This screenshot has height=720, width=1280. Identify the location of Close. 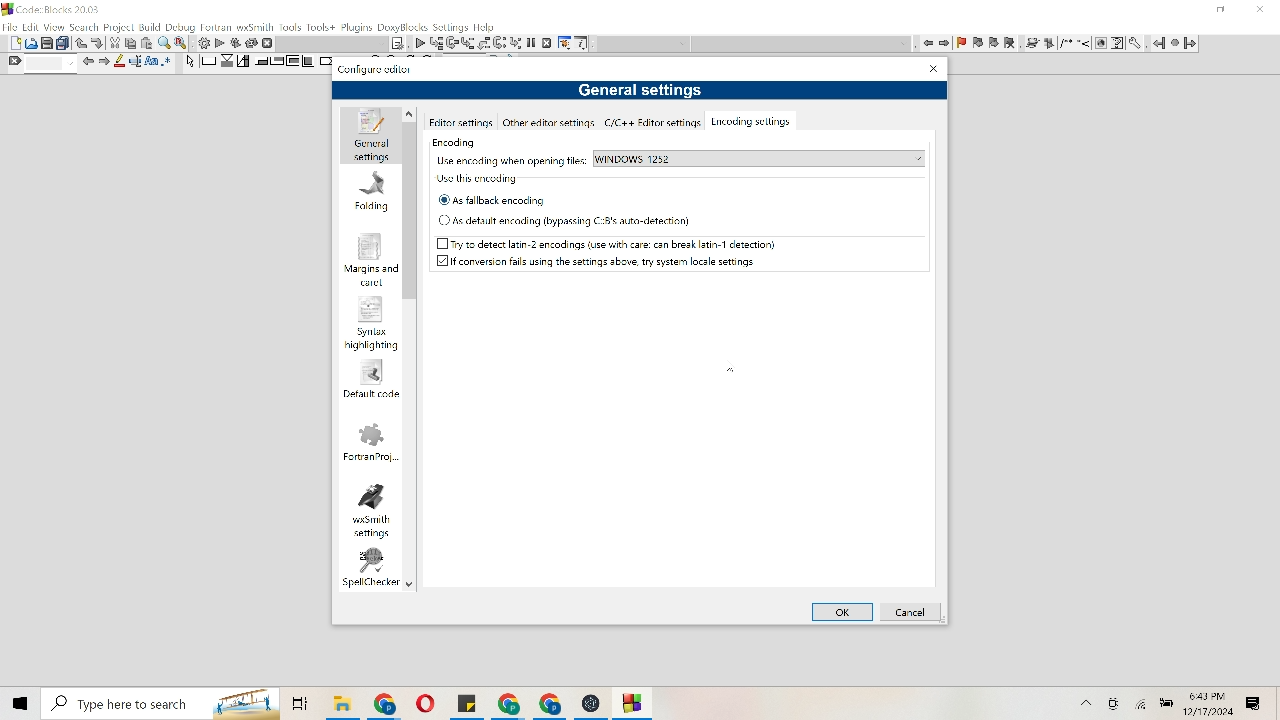
(934, 69).